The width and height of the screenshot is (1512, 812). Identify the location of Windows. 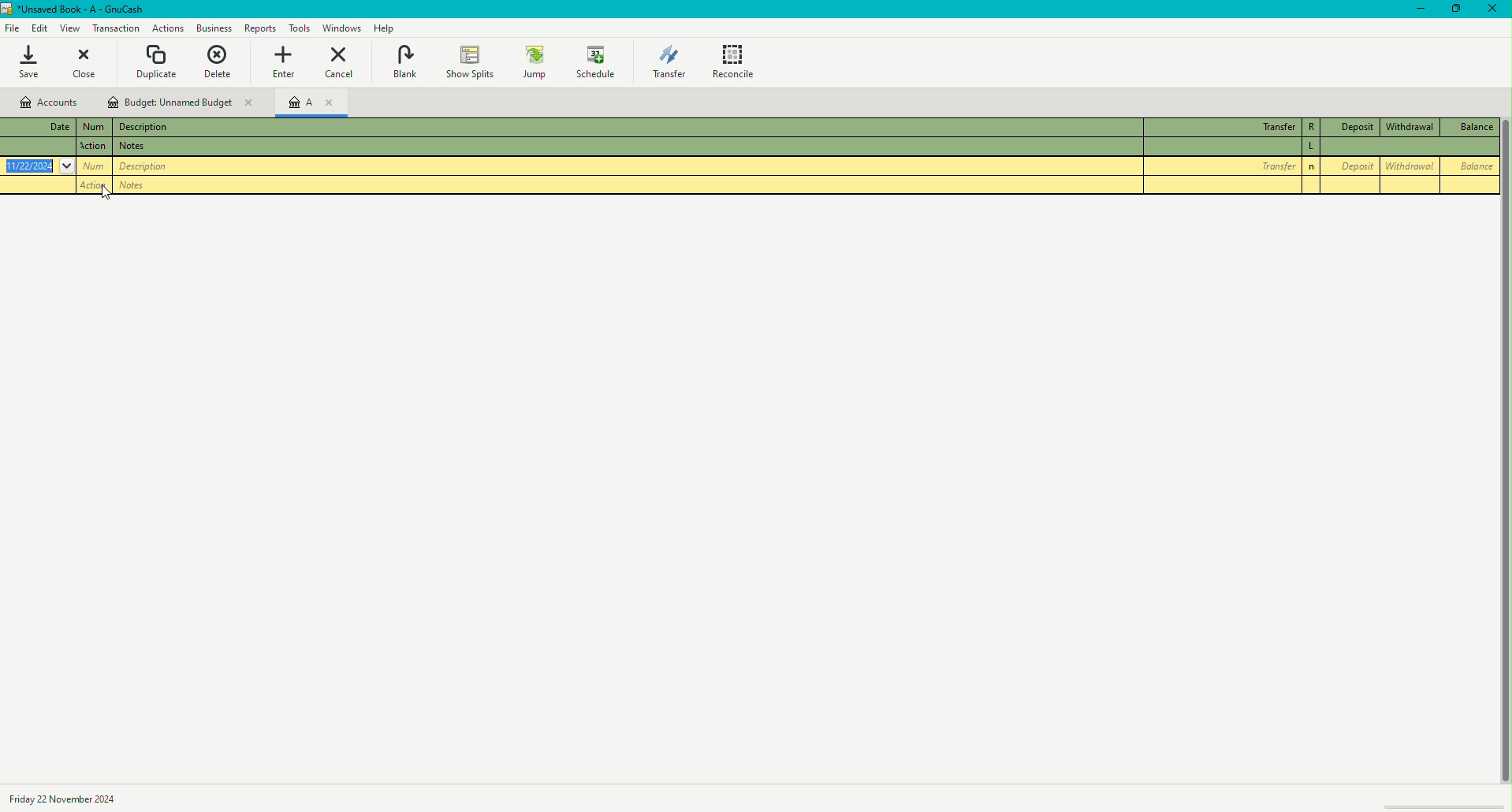
(342, 28).